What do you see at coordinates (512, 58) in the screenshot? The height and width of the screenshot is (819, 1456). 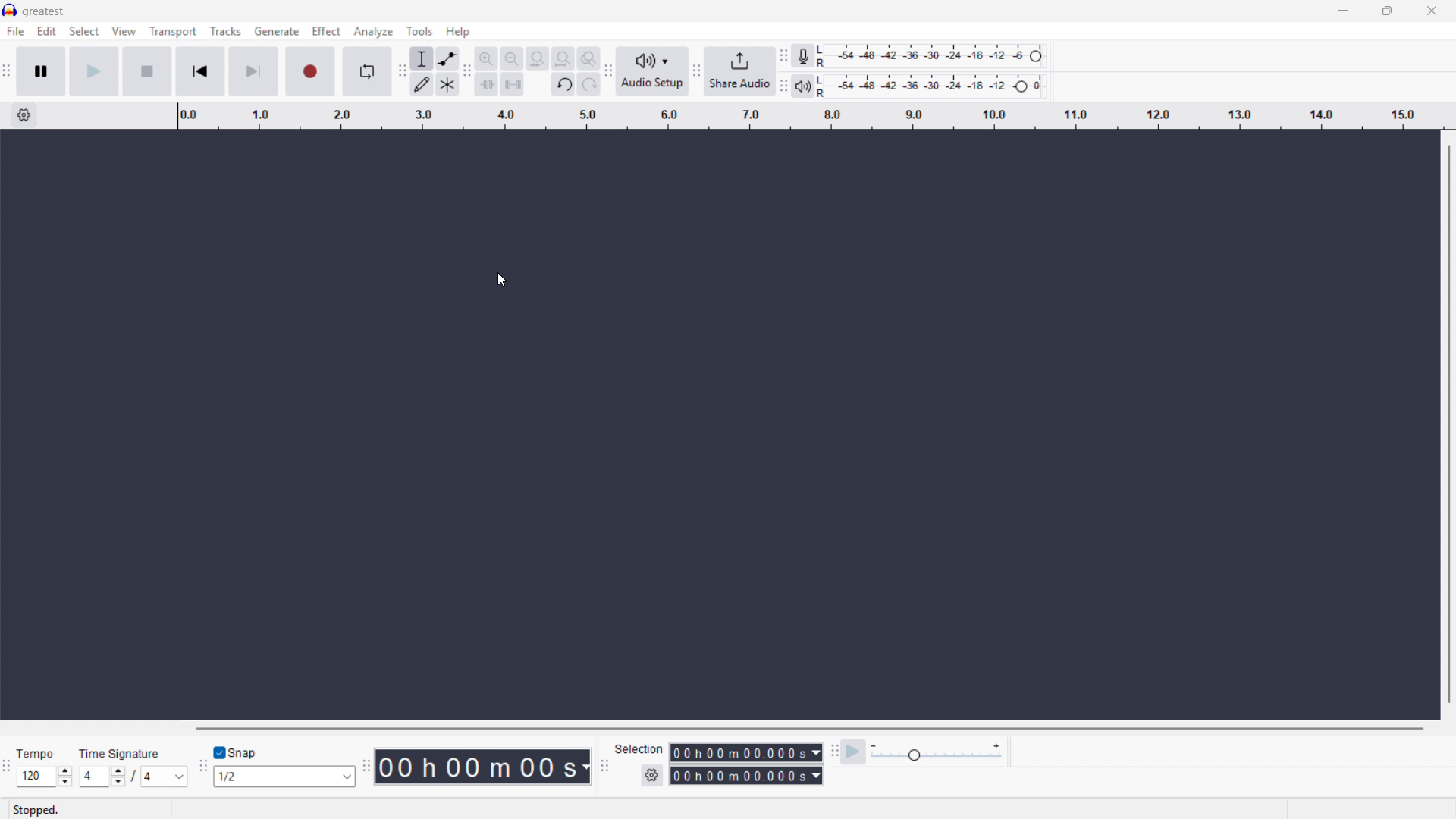 I see `Zoom out ` at bounding box center [512, 58].